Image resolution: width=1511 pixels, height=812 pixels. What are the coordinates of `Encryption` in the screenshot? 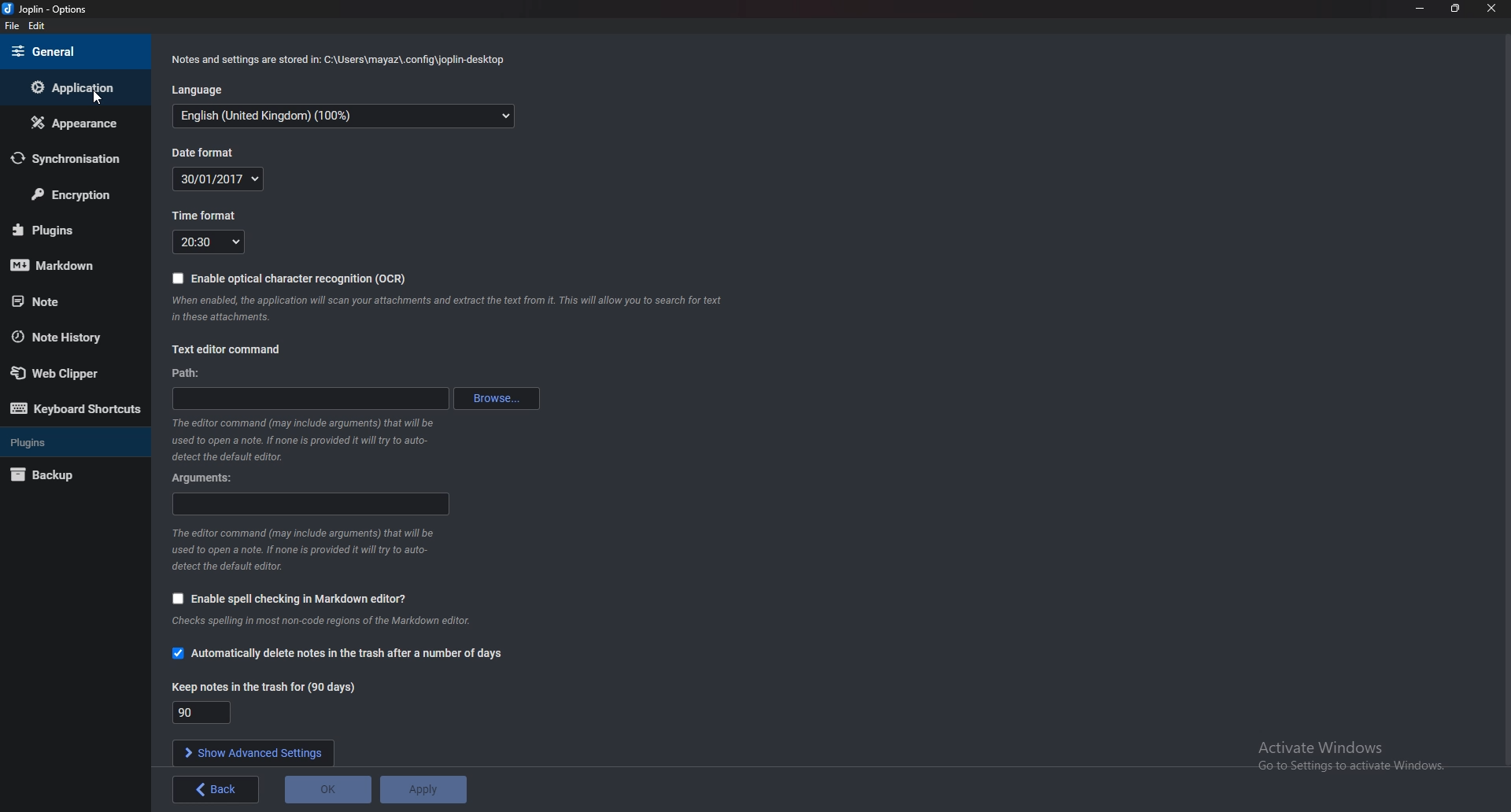 It's located at (78, 194).